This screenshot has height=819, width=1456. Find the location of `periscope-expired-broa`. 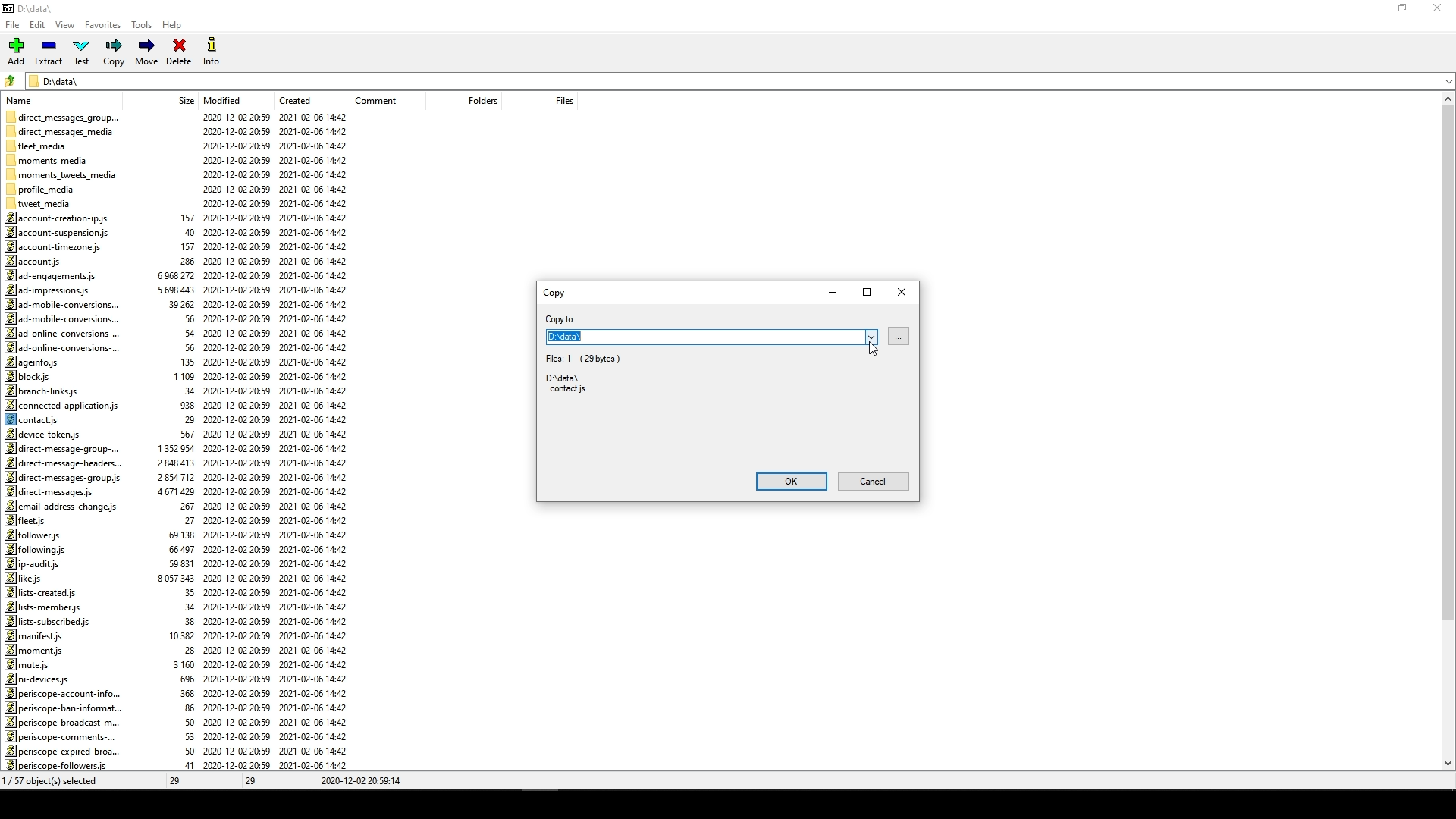

periscope-expired-broa is located at coordinates (64, 750).